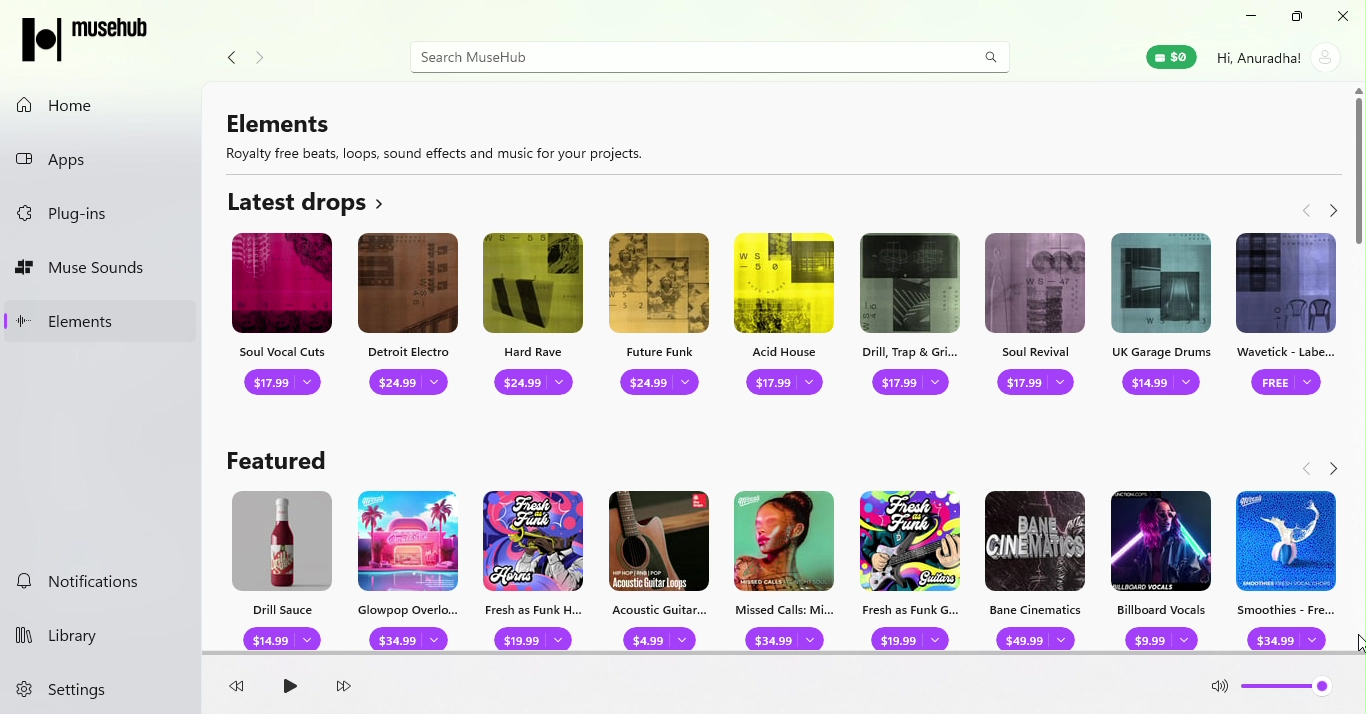 The width and height of the screenshot is (1366, 714). Describe the element at coordinates (265, 59) in the screenshot. I see `Navigate forward` at that location.